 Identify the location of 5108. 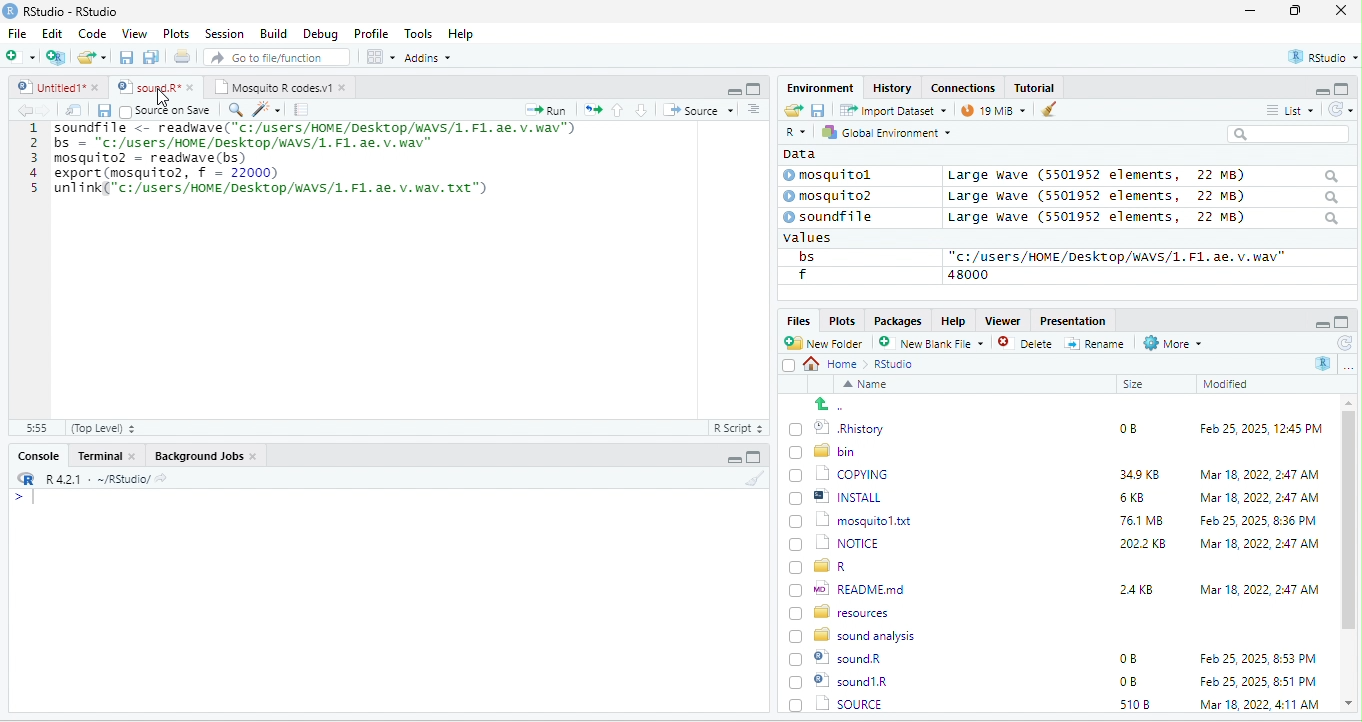
(1130, 680).